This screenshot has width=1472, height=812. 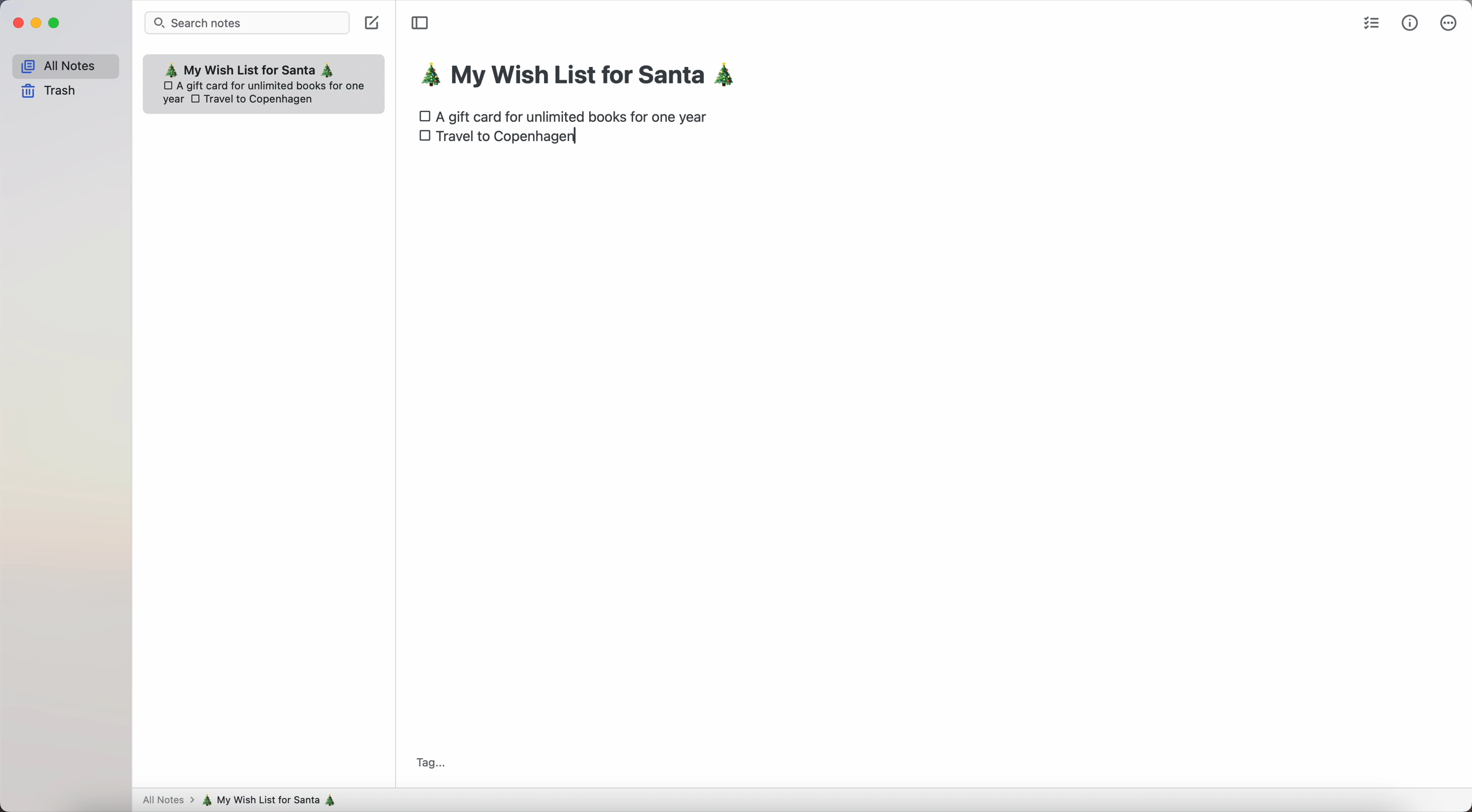 I want to click on trash, so click(x=50, y=92).